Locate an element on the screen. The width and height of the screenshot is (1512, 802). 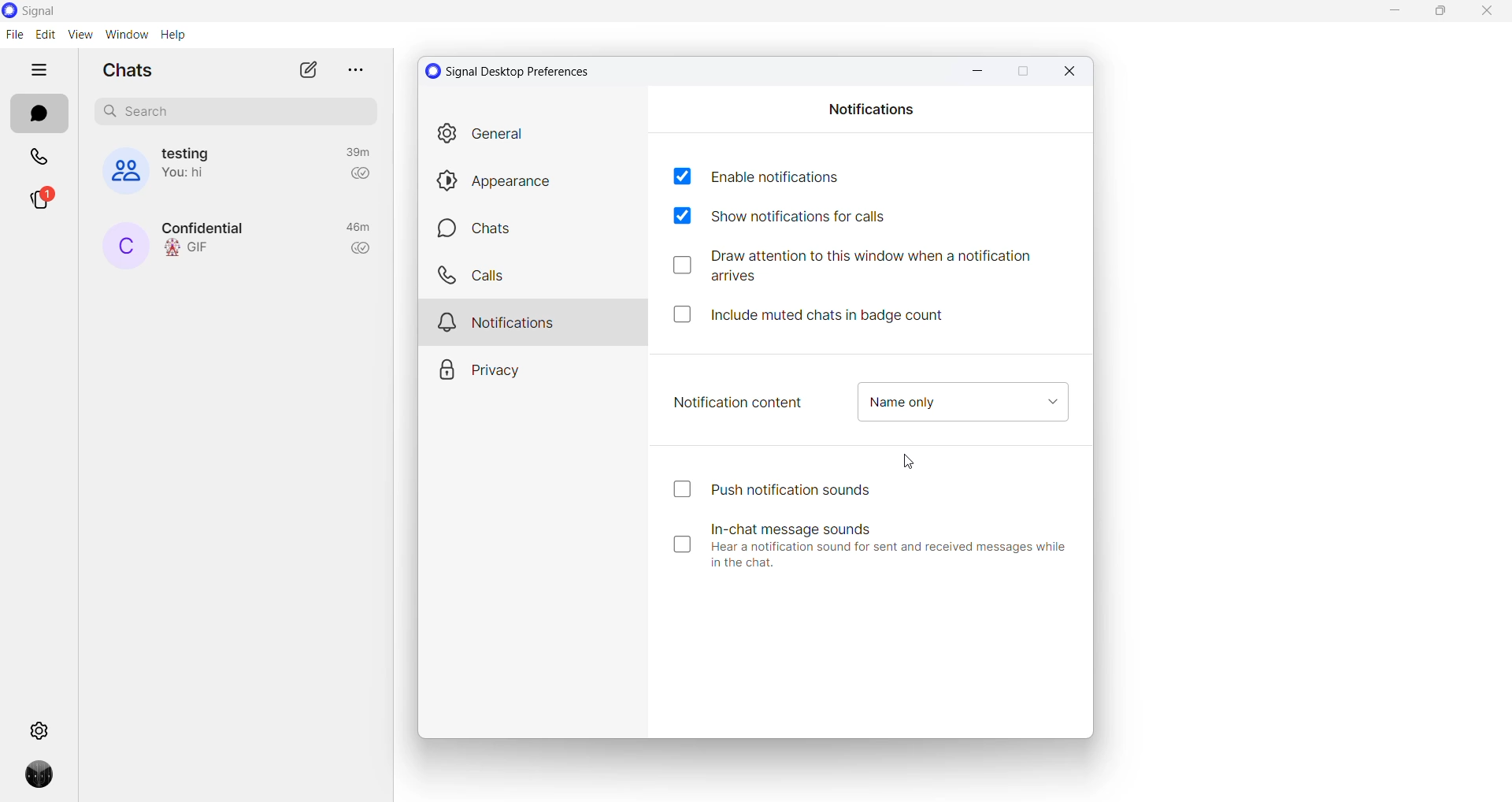
include muted chats in badge count is located at coordinates (820, 313).